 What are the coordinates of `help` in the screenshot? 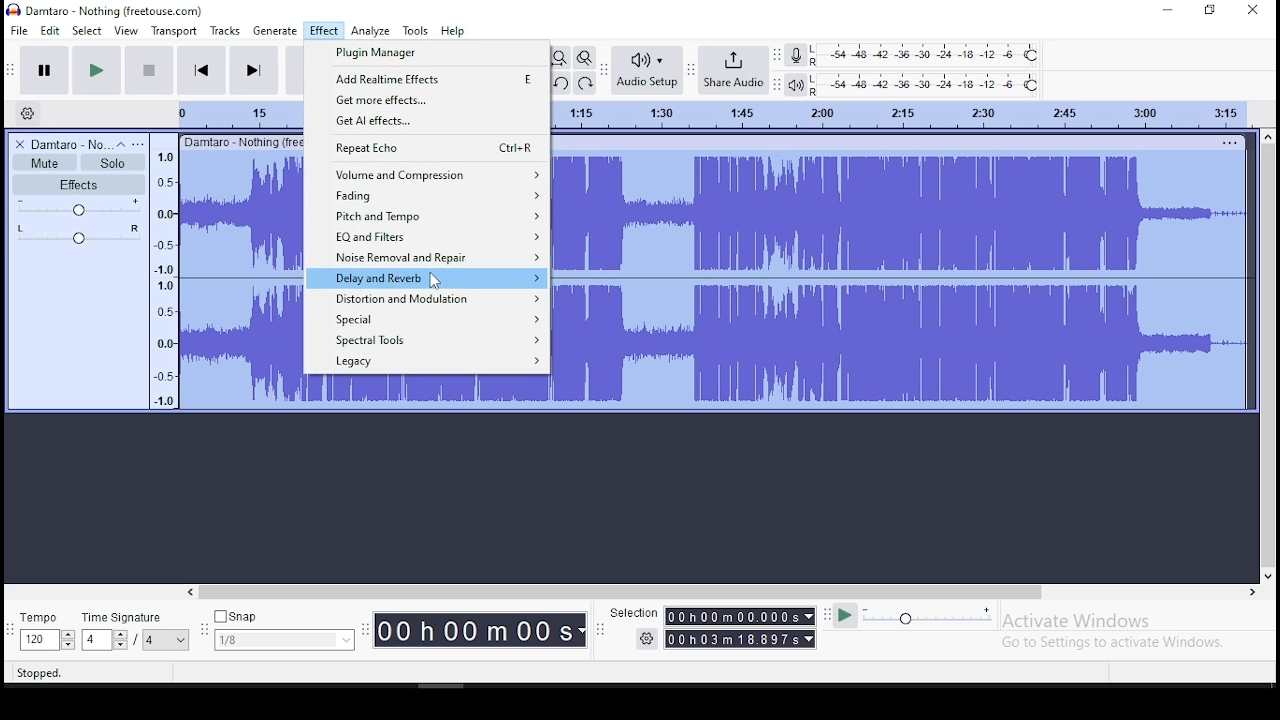 It's located at (454, 30).